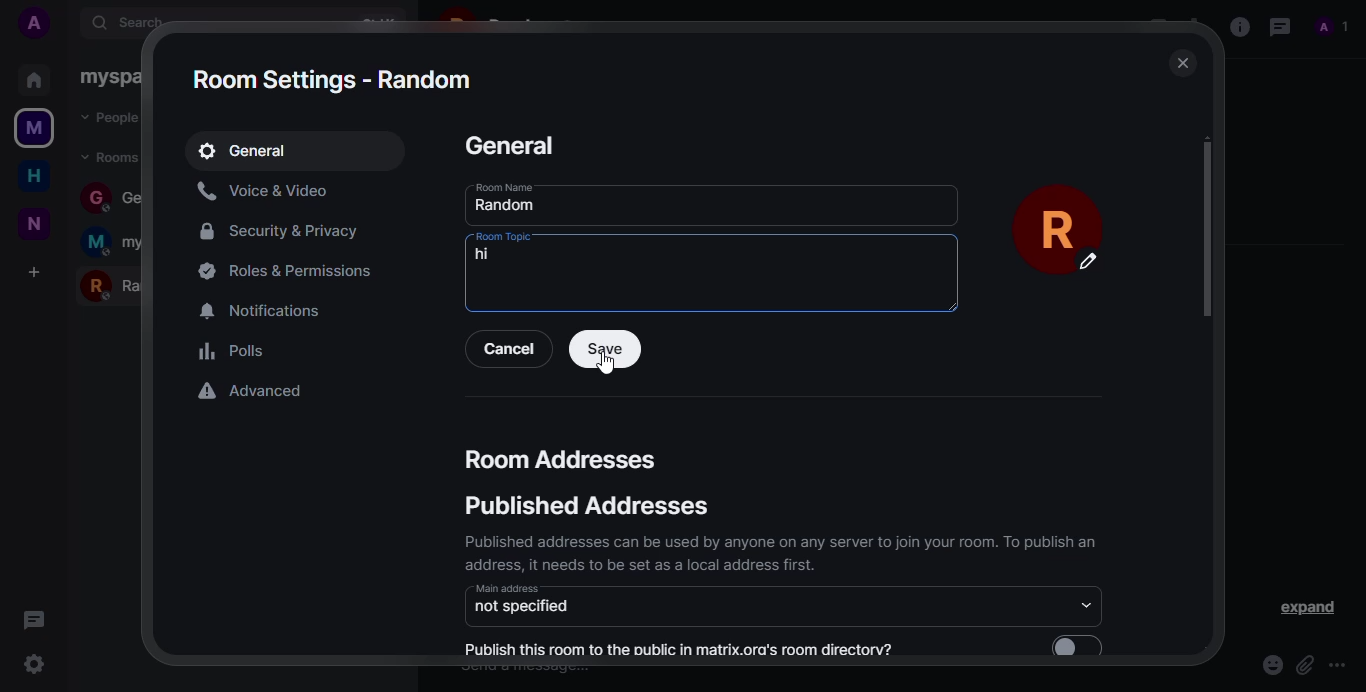 Image resolution: width=1366 pixels, height=692 pixels. What do you see at coordinates (117, 118) in the screenshot?
I see `people` at bounding box center [117, 118].